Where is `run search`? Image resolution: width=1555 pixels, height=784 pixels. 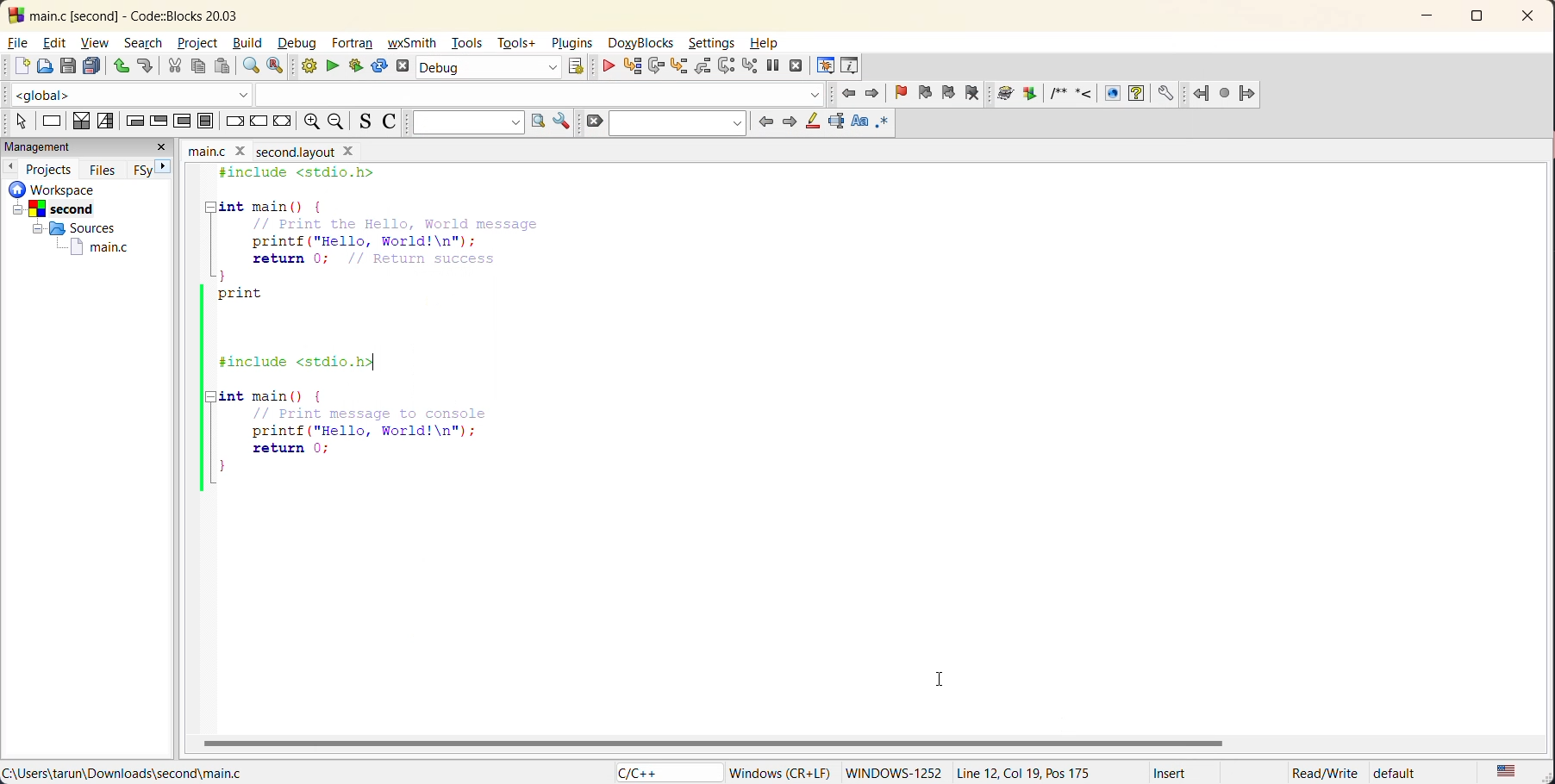
run search is located at coordinates (538, 122).